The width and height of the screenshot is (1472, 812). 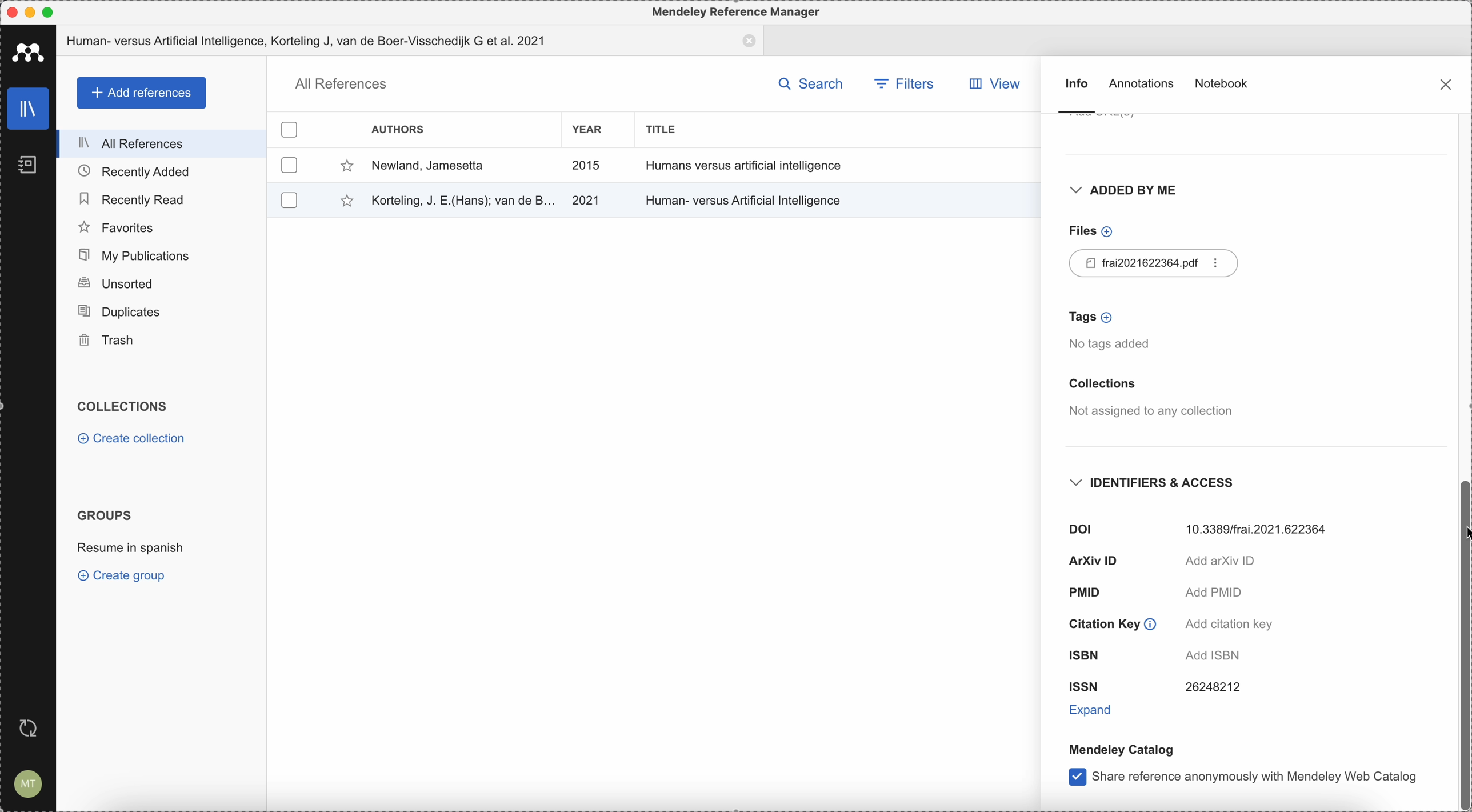 What do you see at coordinates (1122, 193) in the screenshot?
I see `added by me` at bounding box center [1122, 193].